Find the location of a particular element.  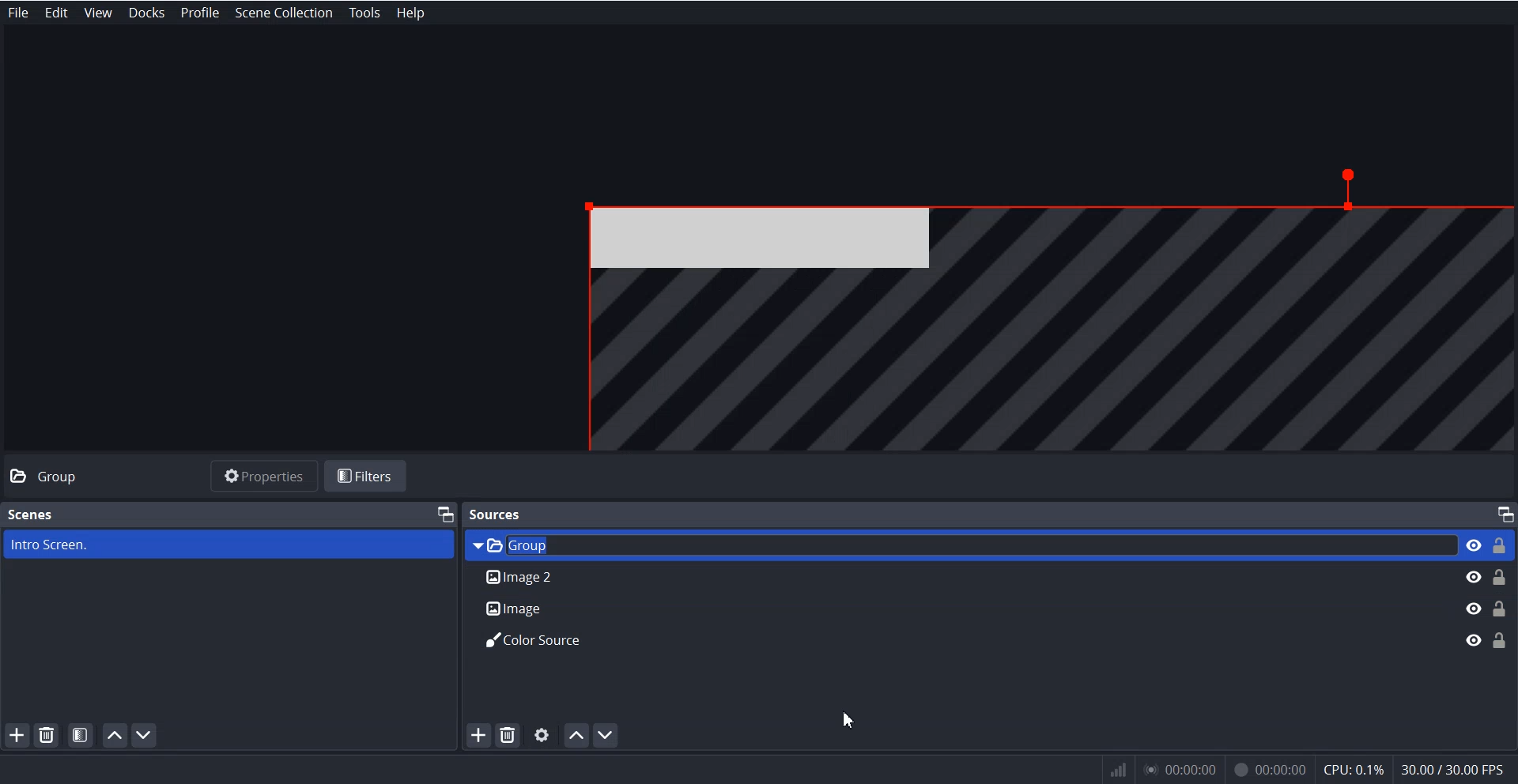

File is located at coordinates (19, 13).